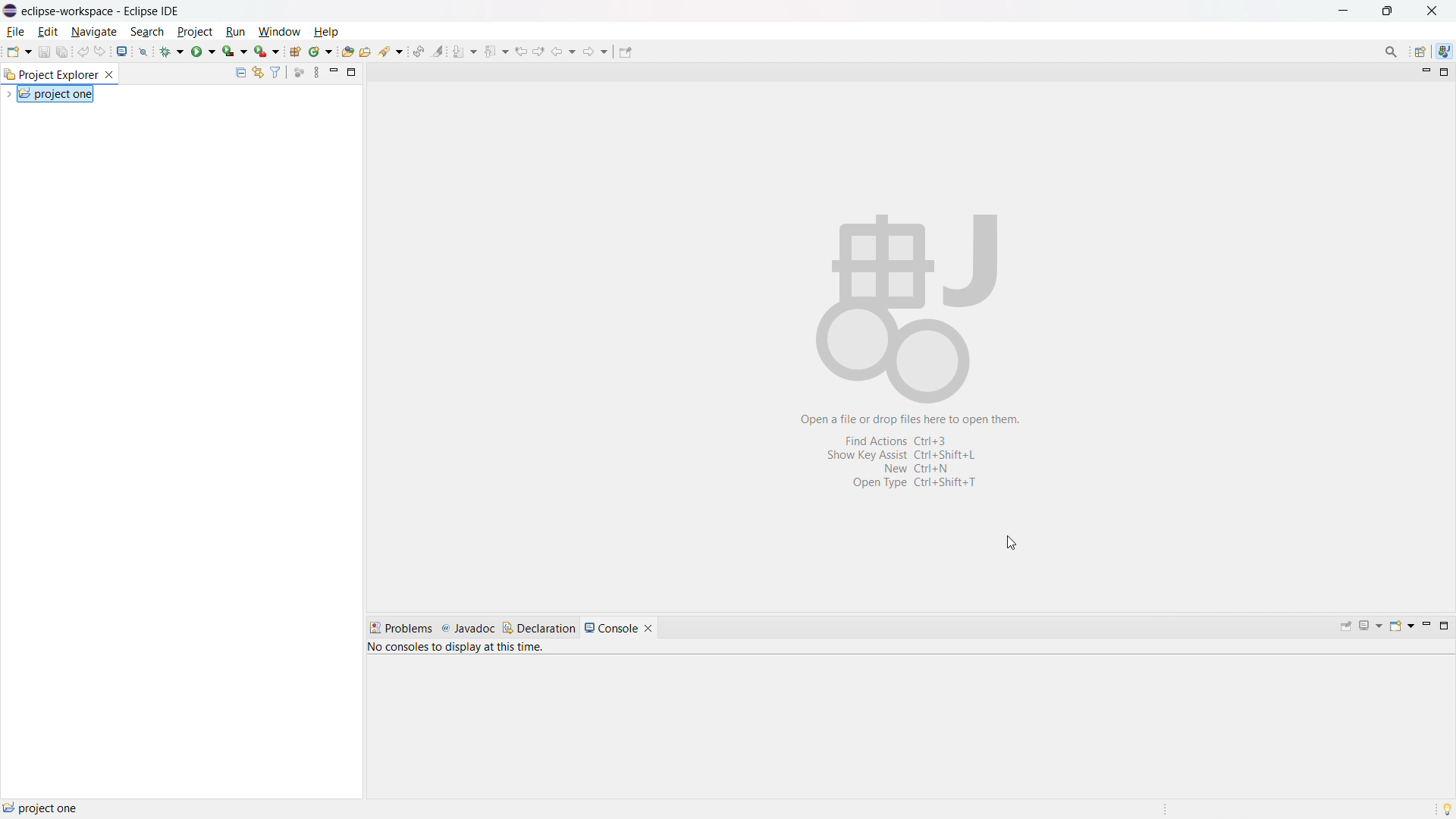 The height and width of the screenshot is (819, 1456). Describe the element at coordinates (1342, 11) in the screenshot. I see `maximize` at that location.